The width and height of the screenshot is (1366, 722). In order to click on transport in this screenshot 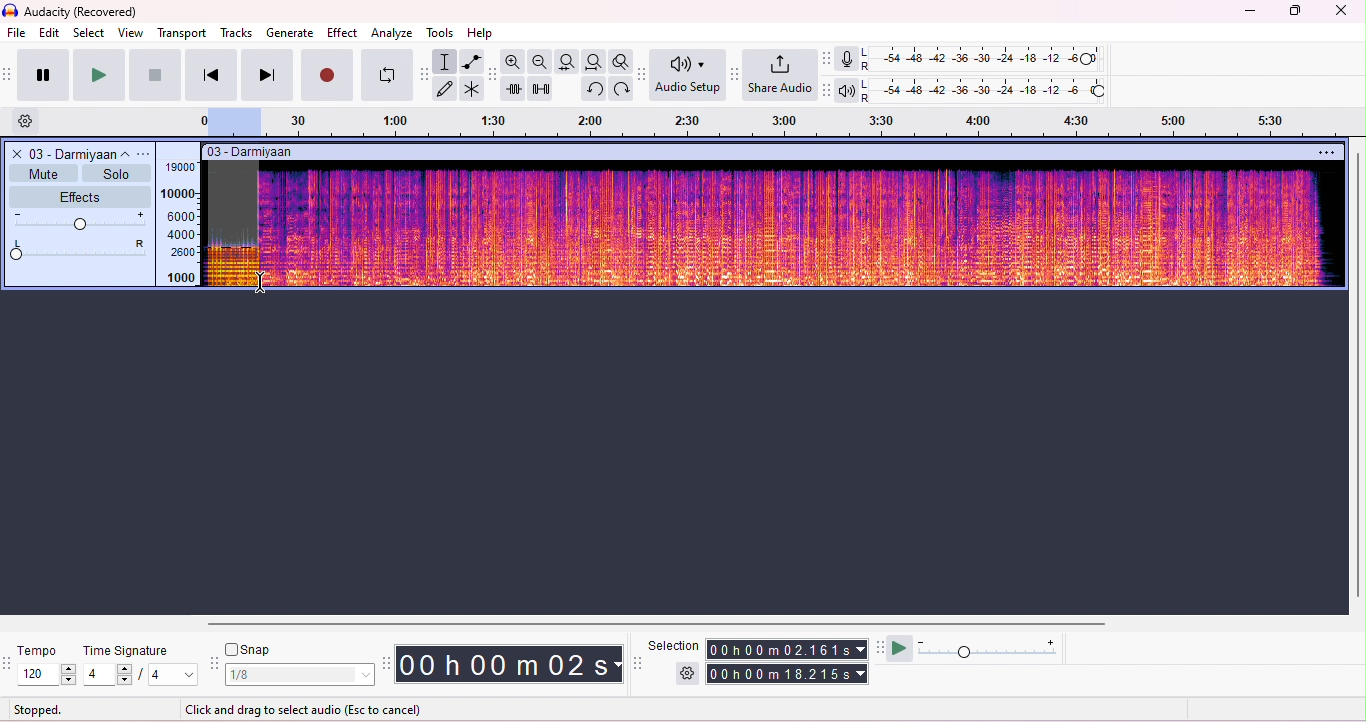, I will do `click(182, 34)`.